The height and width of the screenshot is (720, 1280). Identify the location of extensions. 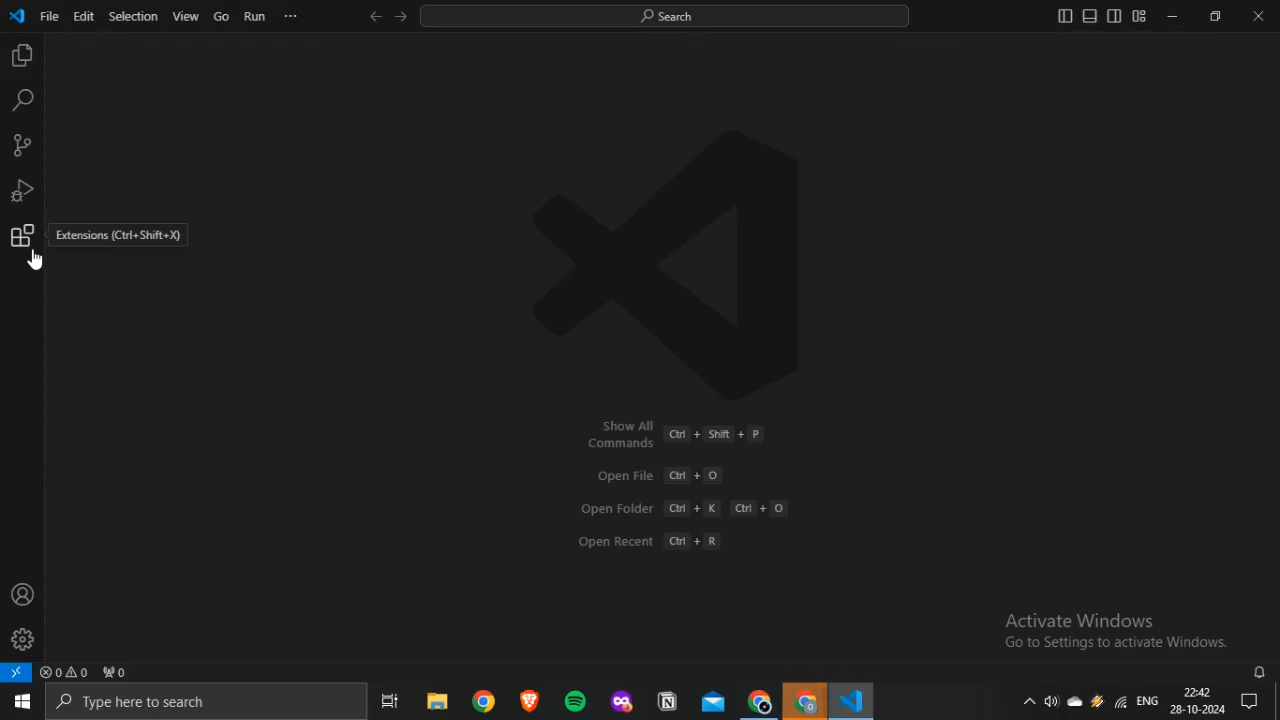
(22, 235).